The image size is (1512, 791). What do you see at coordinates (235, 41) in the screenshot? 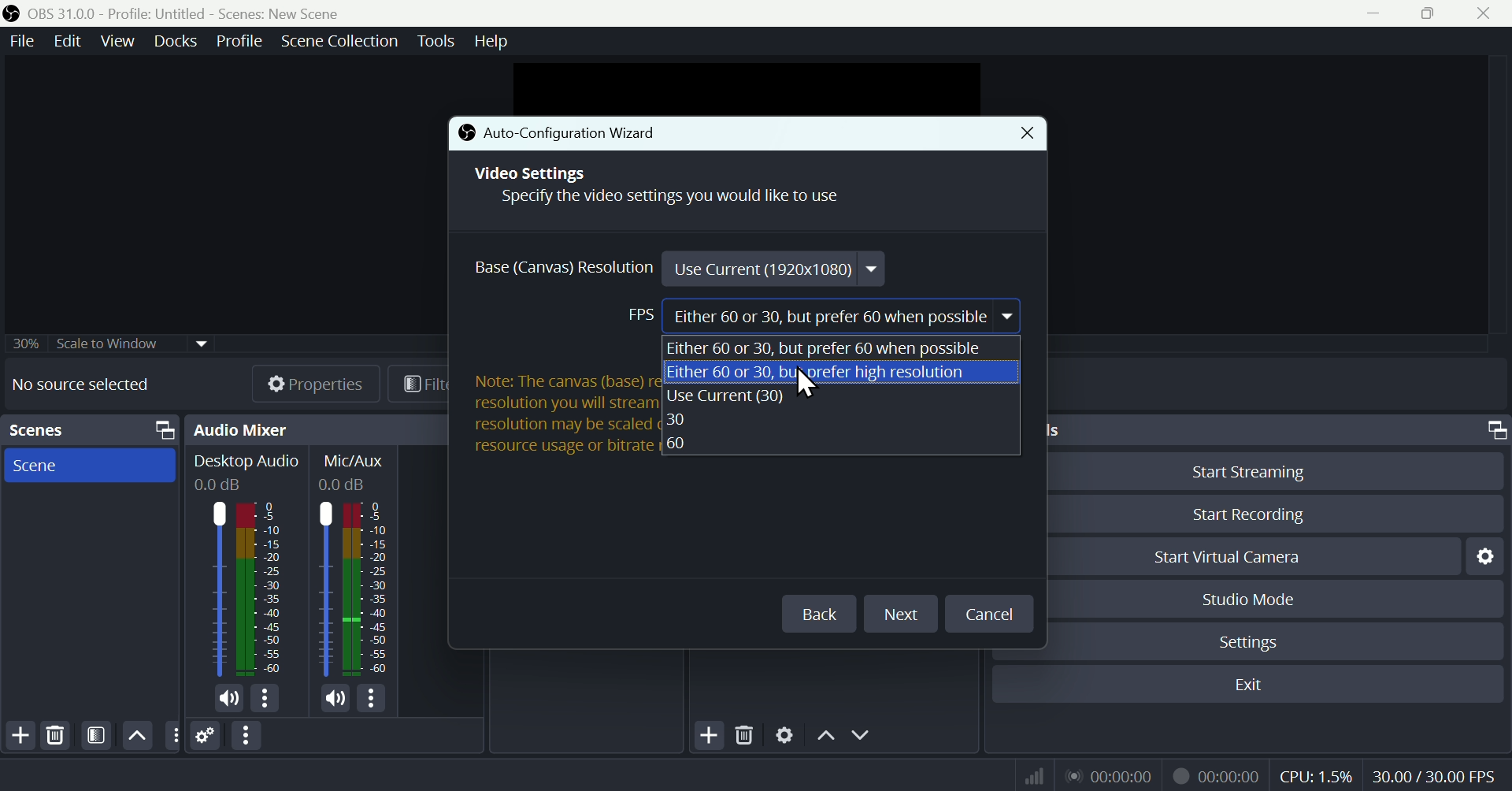
I see `Profile` at bounding box center [235, 41].